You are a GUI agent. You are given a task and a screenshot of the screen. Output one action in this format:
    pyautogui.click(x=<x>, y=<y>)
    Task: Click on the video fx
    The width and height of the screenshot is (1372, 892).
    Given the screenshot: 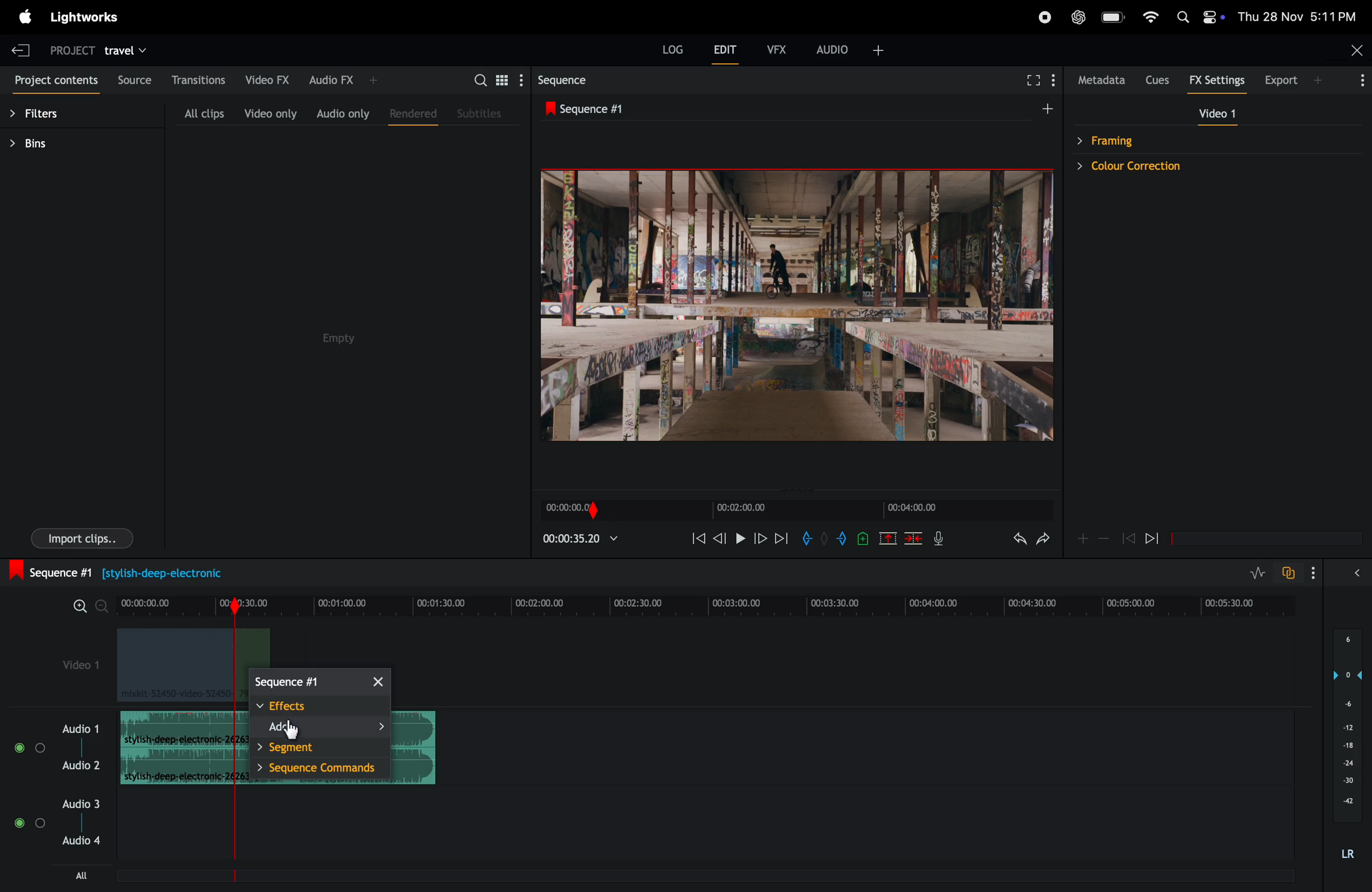 What is the action you would take?
    pyautogui.click(x=267, y=78)
    